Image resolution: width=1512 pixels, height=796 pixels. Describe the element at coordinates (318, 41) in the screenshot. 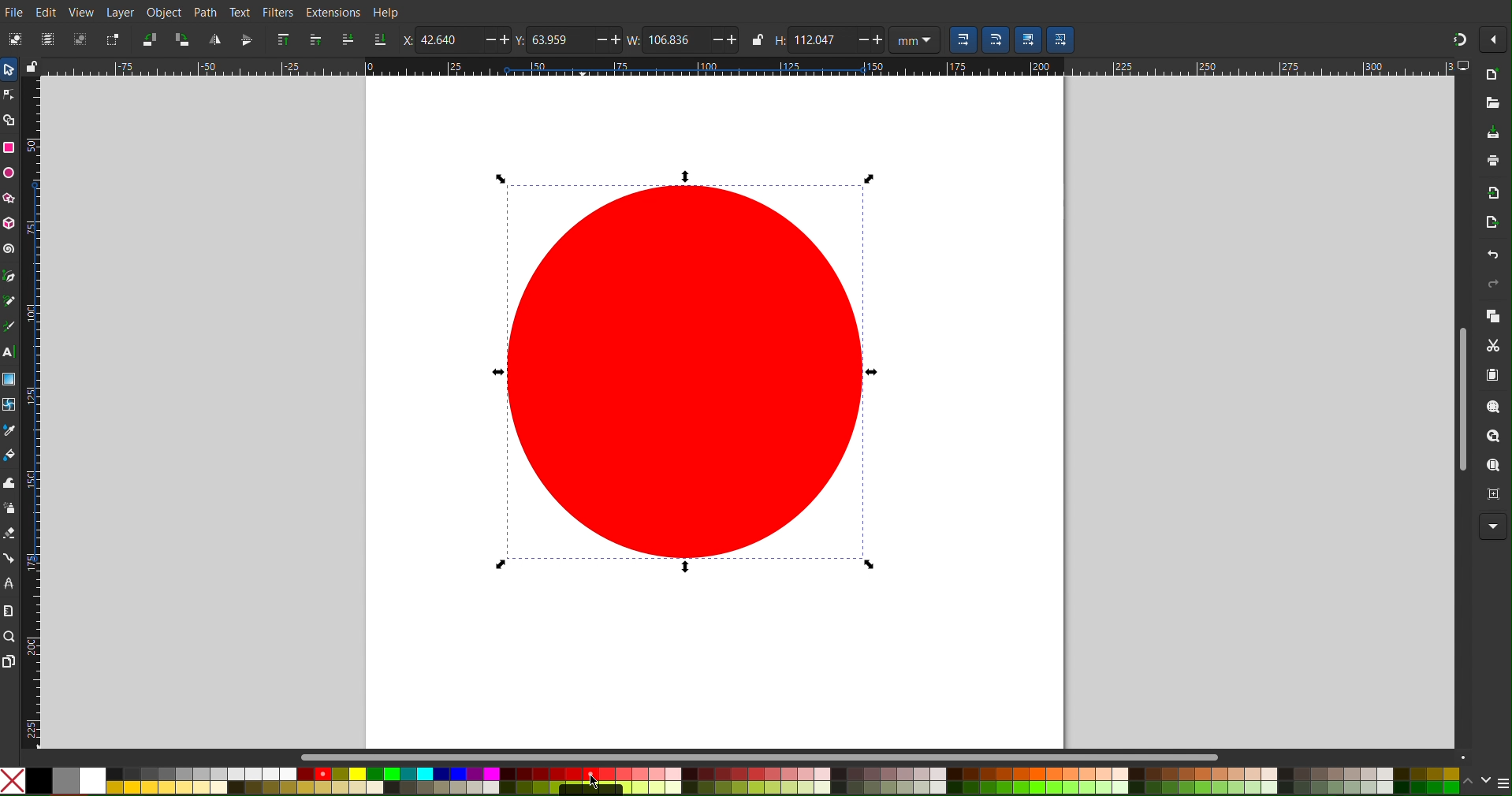

I see `Send one layer up` at that location.